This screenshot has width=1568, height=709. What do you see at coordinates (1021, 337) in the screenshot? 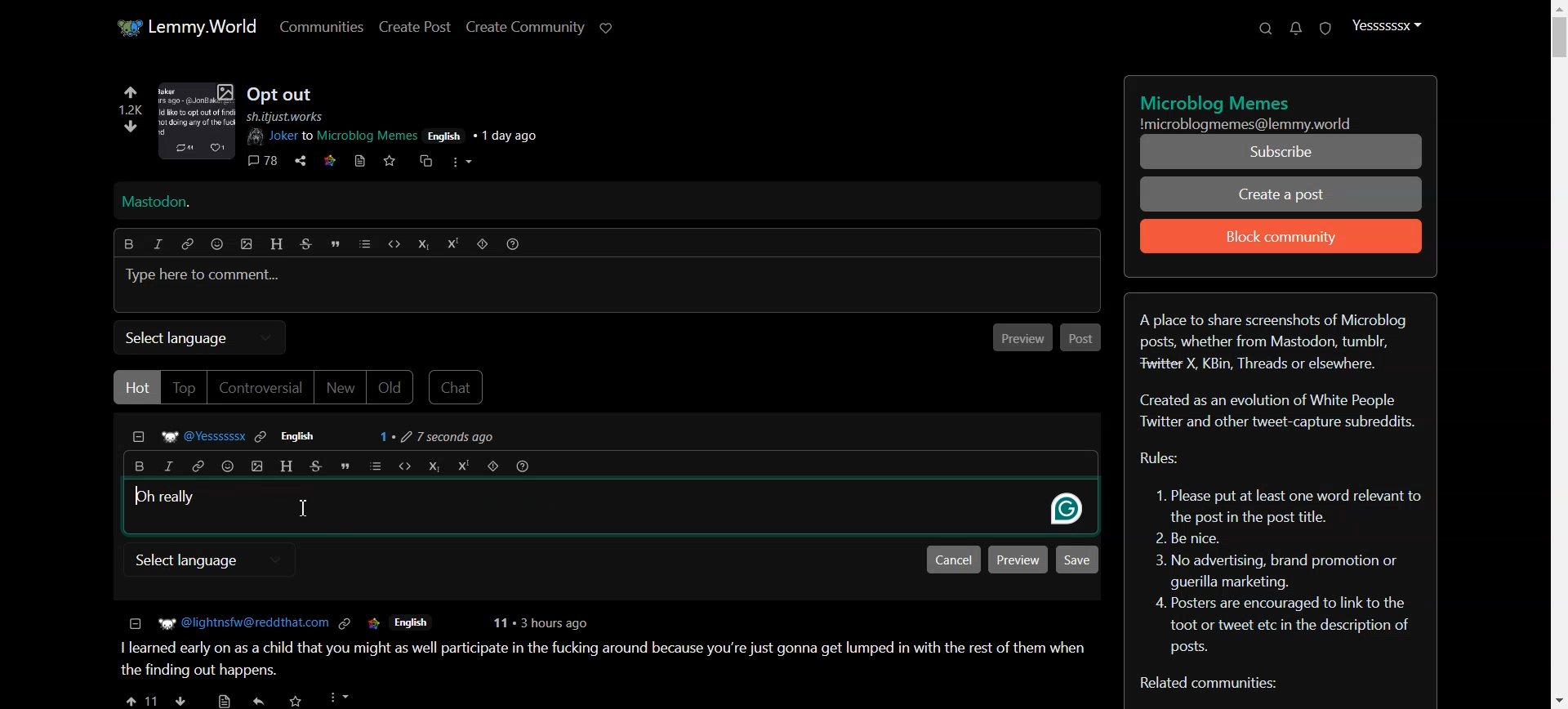
I see `Previous` at bounding box center [1021, 337].